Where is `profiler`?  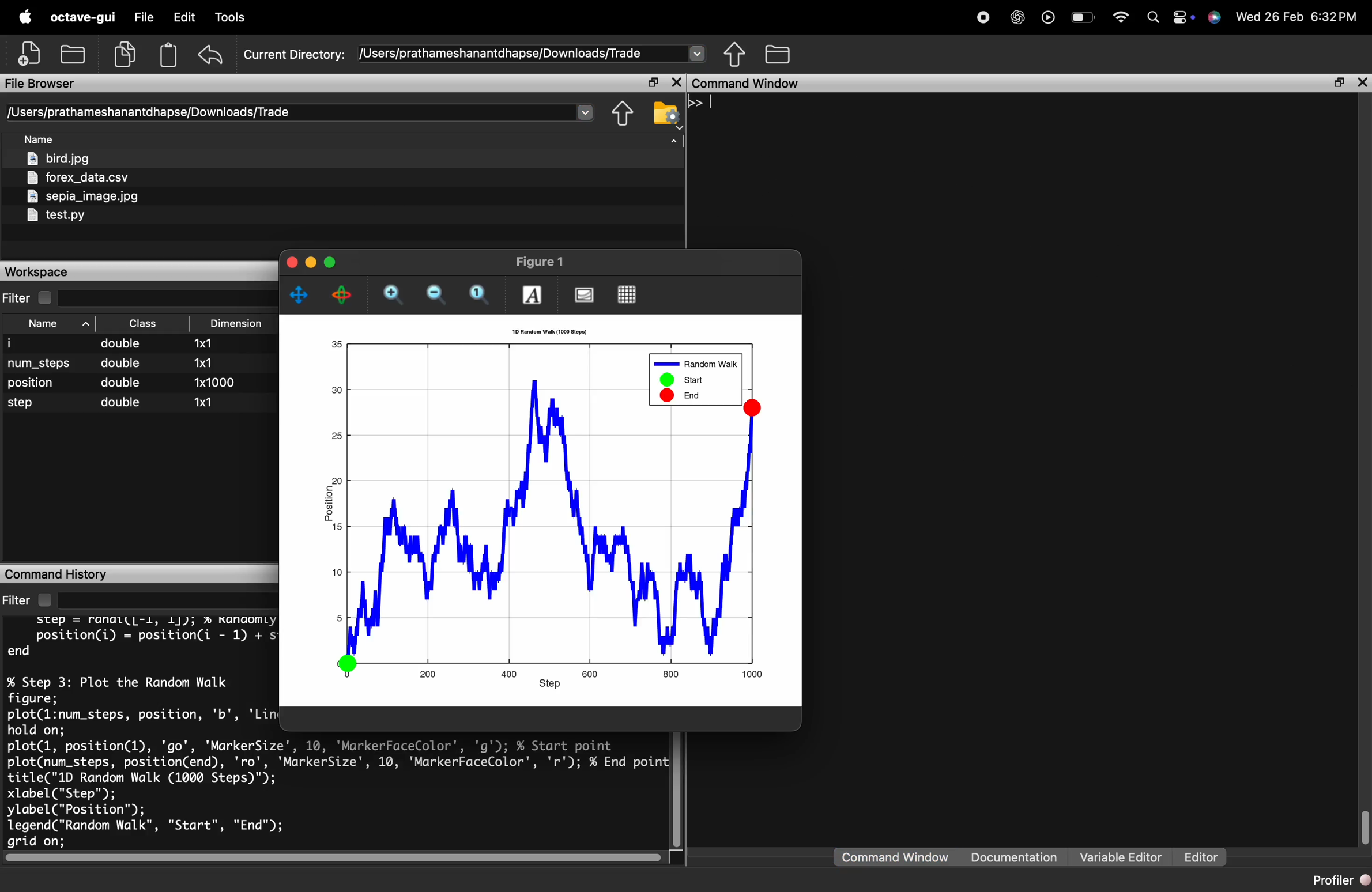
profiler is located at coordinates (1337, 880).